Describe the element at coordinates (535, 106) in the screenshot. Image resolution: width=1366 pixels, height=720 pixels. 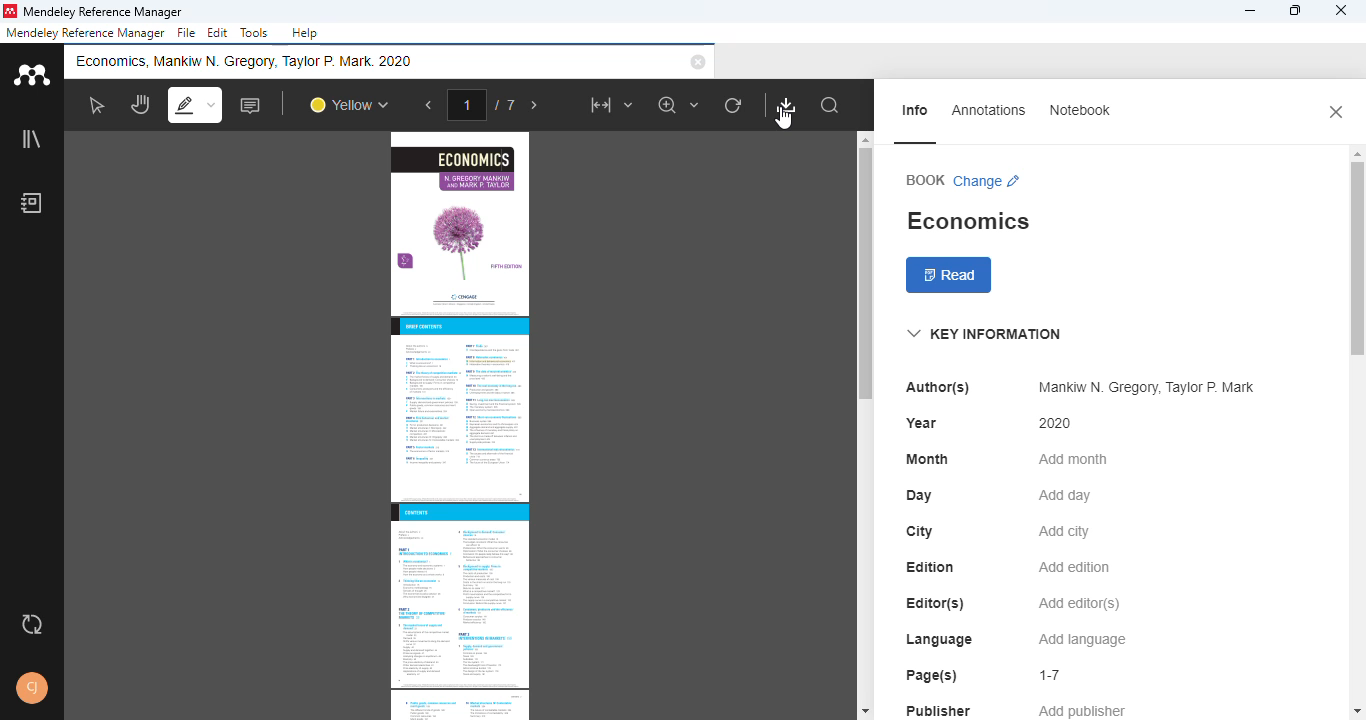
I see `next page` at that location.